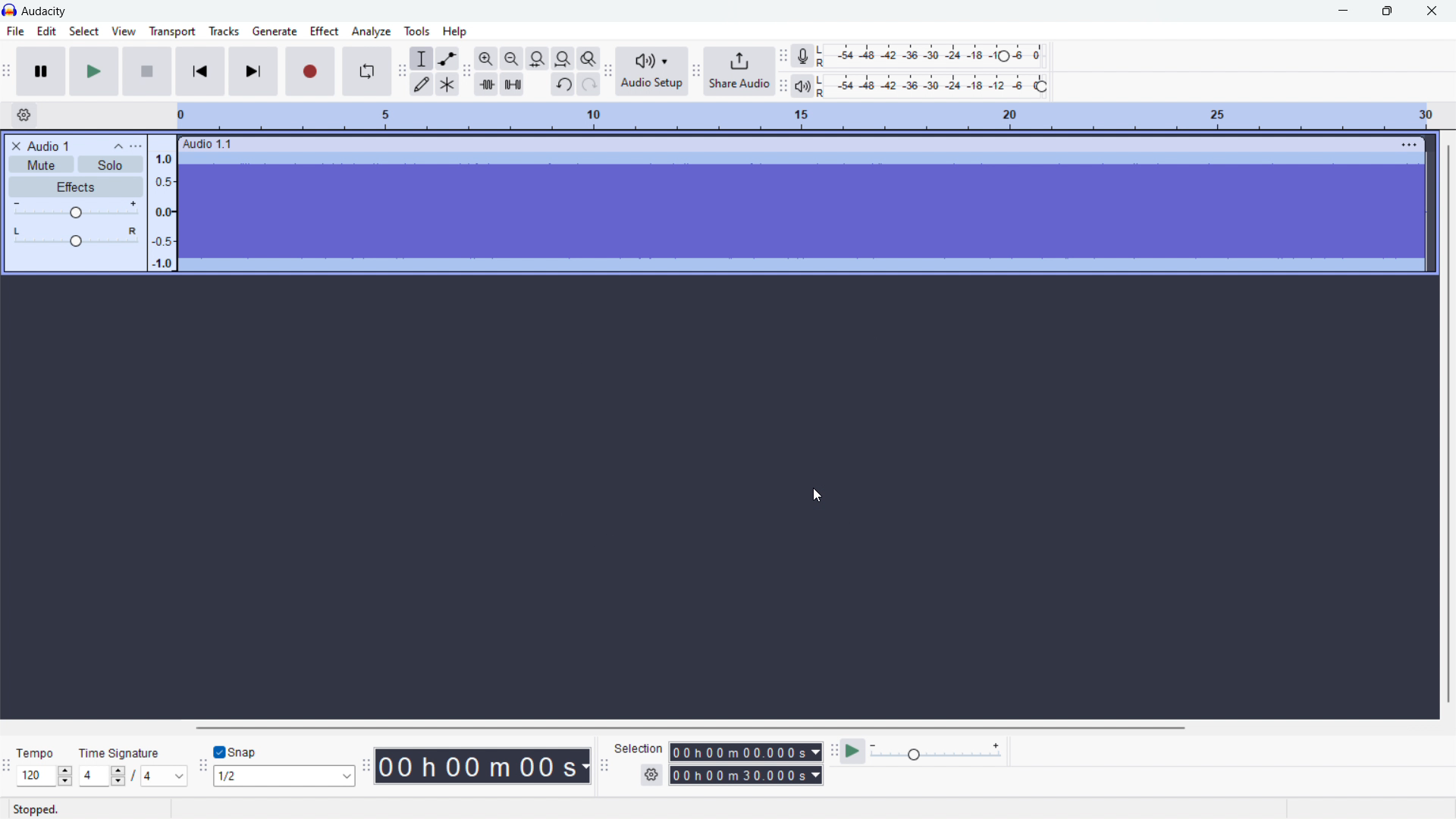 The image size is (1456, 819). I want to click on select, so click(84, 31).